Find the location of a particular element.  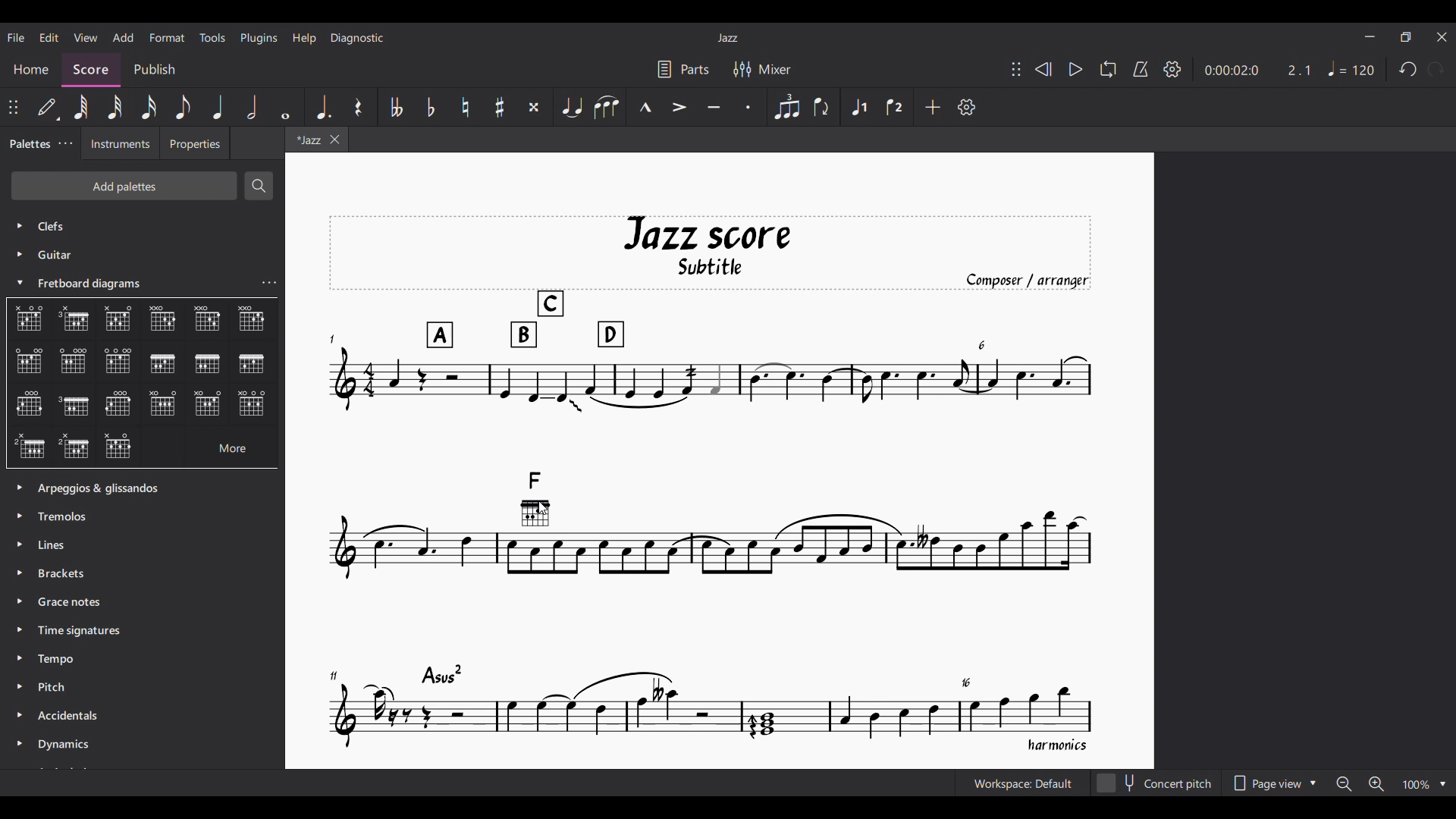

Chart 16 is located at coordinates (209, 403).